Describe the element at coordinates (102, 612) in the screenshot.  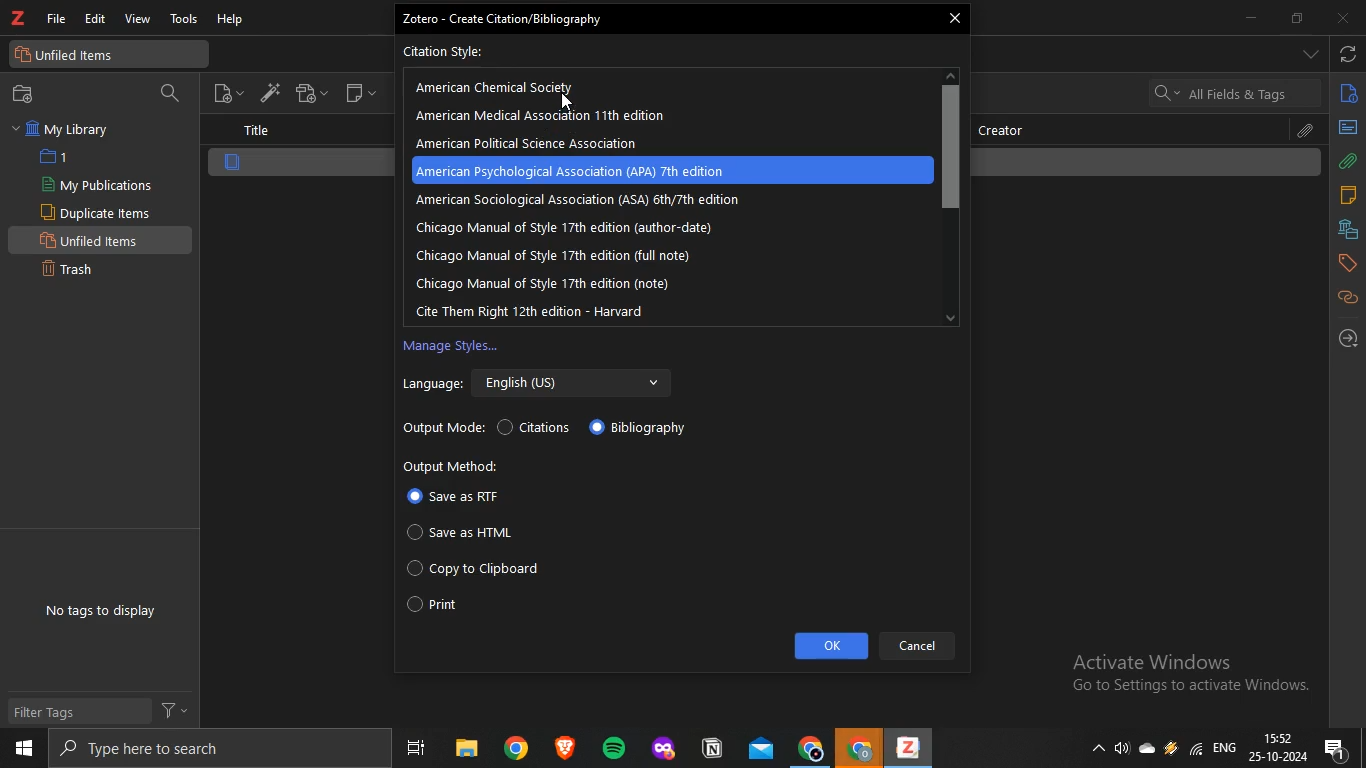
I see `No tags to display` at that location.